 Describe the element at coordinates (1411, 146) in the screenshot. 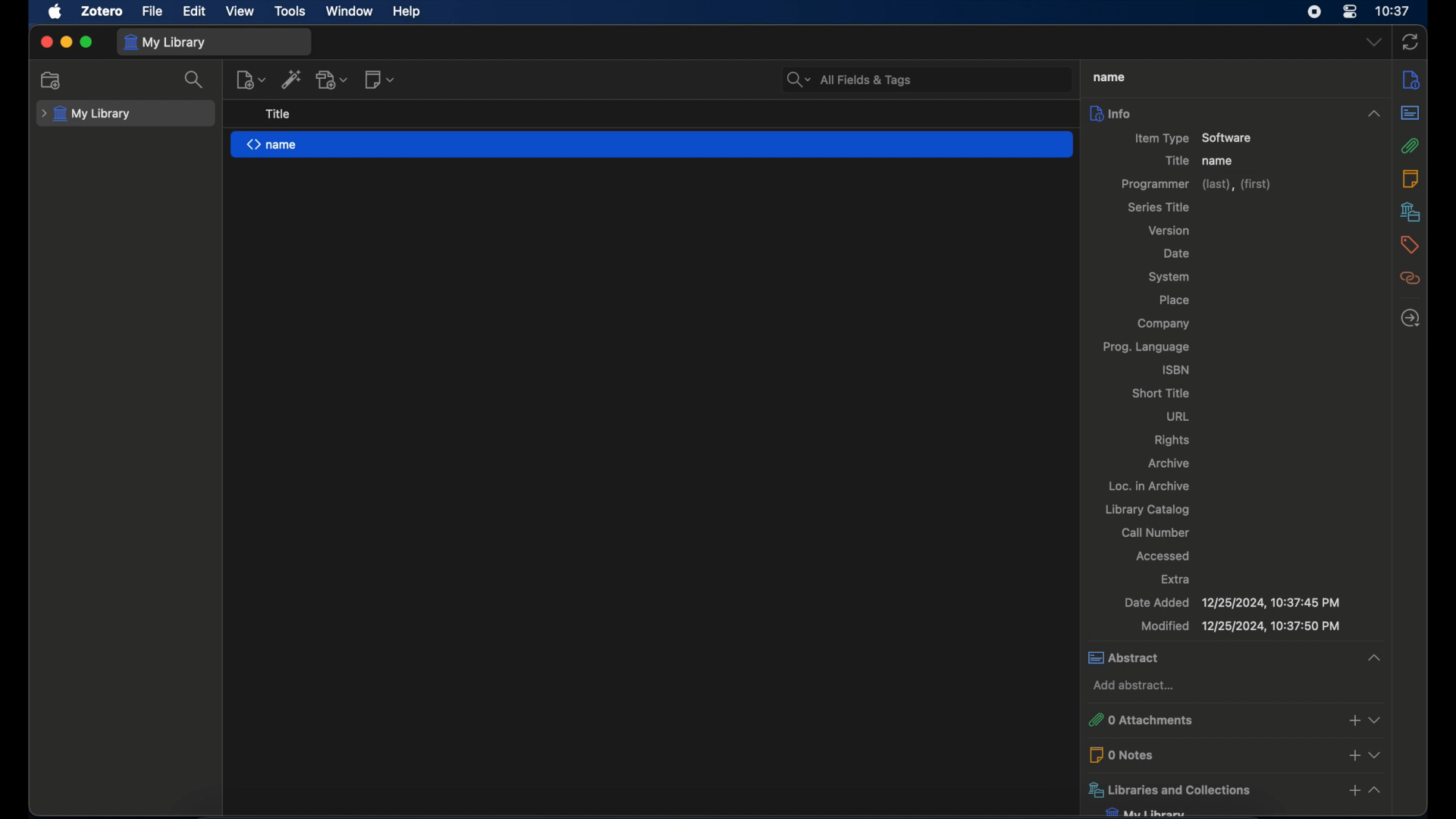

I see `attachments` at that location.